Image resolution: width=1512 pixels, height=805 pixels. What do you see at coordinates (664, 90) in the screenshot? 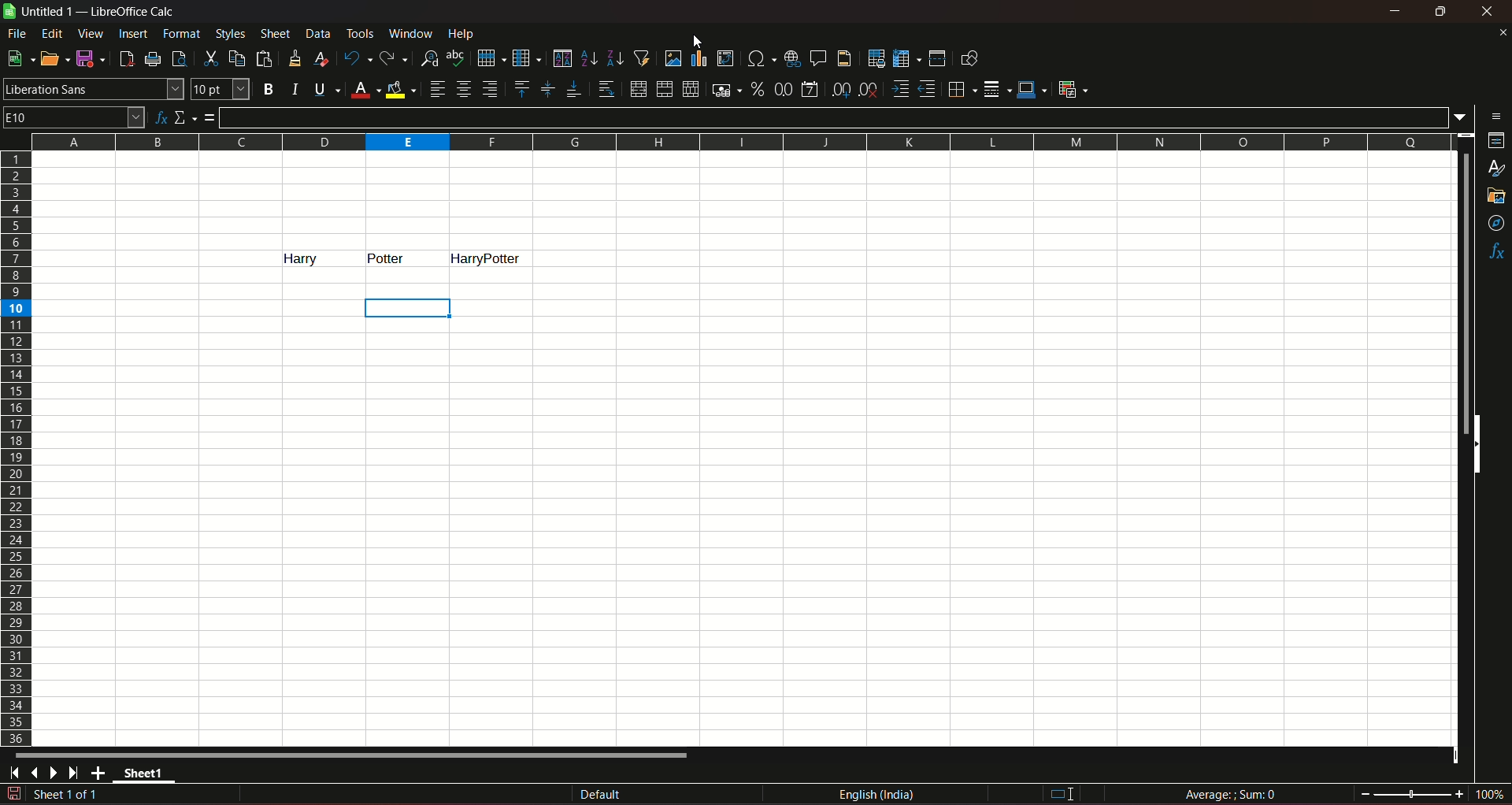
I see `merge` at bounding box center [664, 90].